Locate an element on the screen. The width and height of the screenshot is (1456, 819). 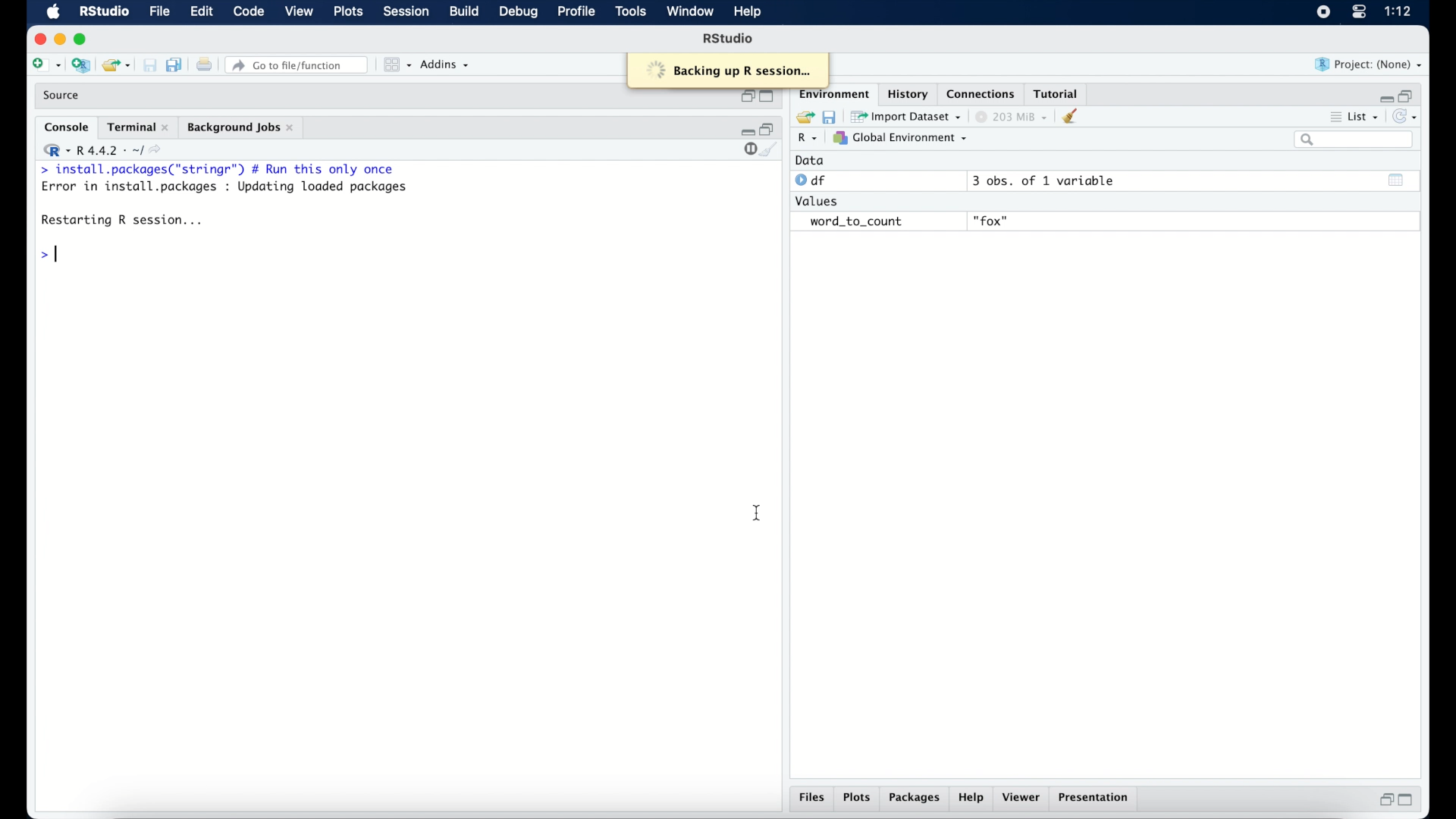
files is located at coordinates (814, 798).